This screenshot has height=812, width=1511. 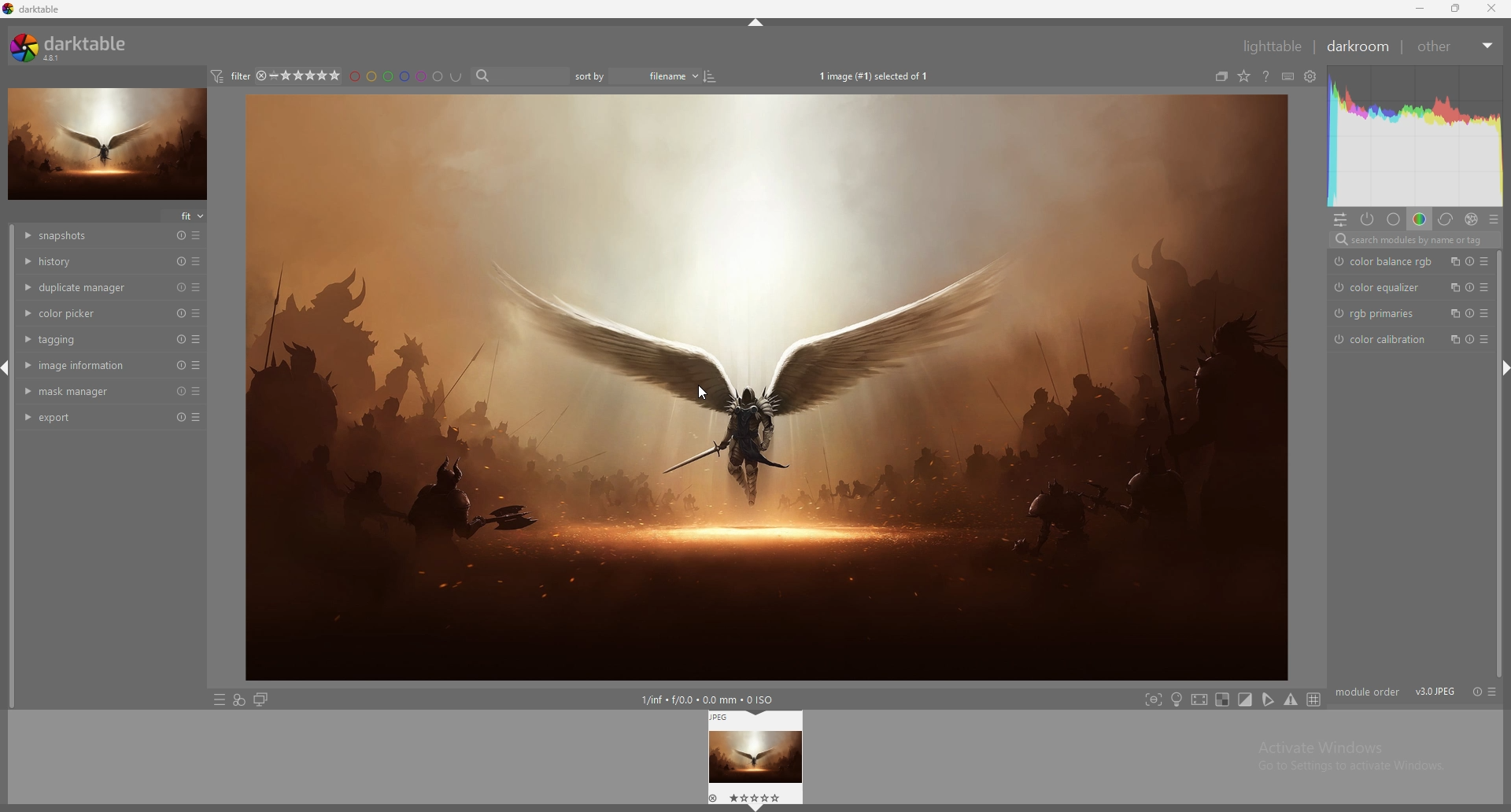 What do you see at coordinates (1359, 46) in the screenshot?
I see `darkroom` at bounding box center [1359, 46].